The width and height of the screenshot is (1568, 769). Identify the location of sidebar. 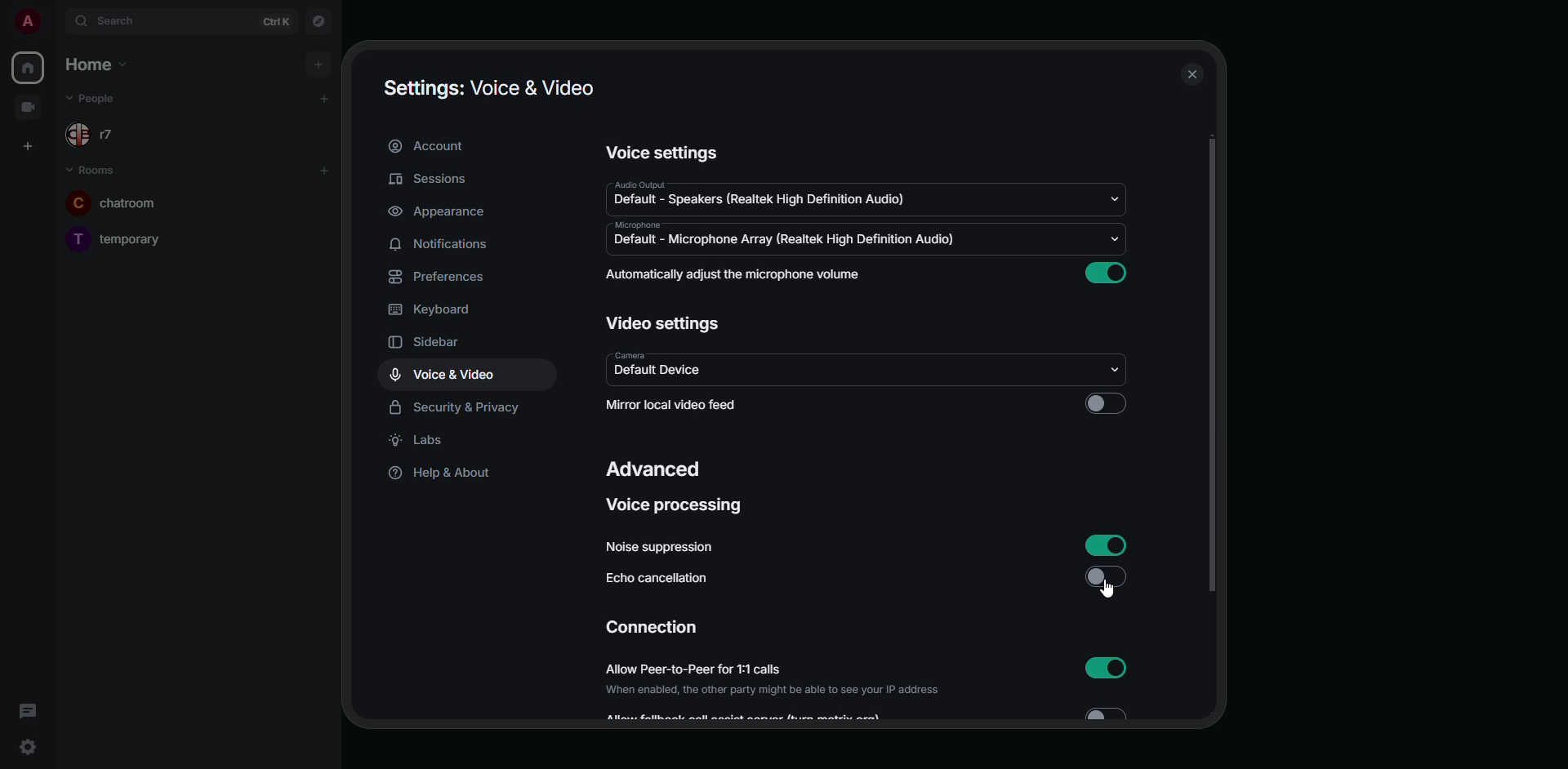
(439, 340).